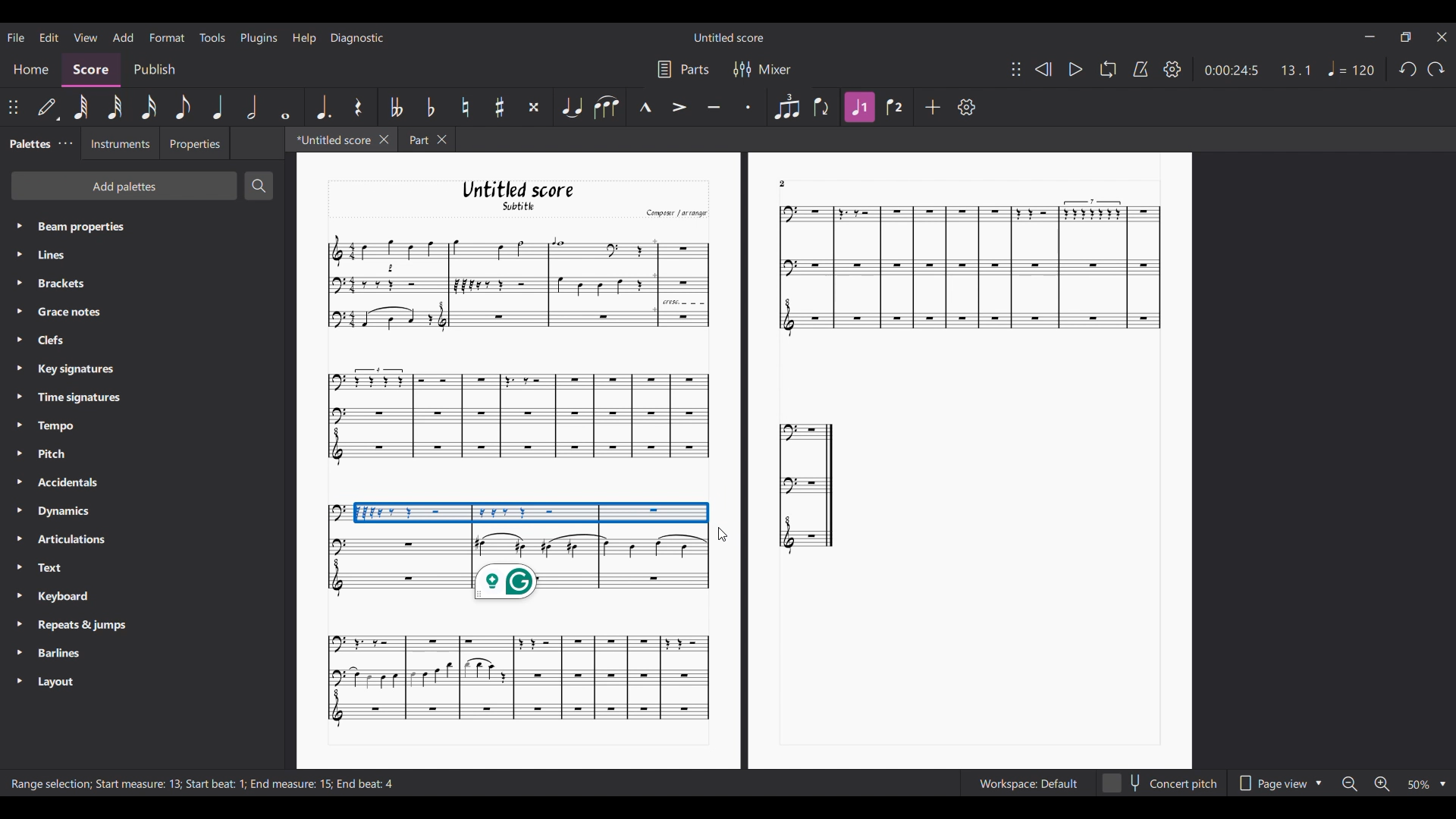 The width and height of the screenshot is (1456, 819). Describe the element at coordinates (1159, 783) in the screenshot. I see `Concert pitch` at that location.